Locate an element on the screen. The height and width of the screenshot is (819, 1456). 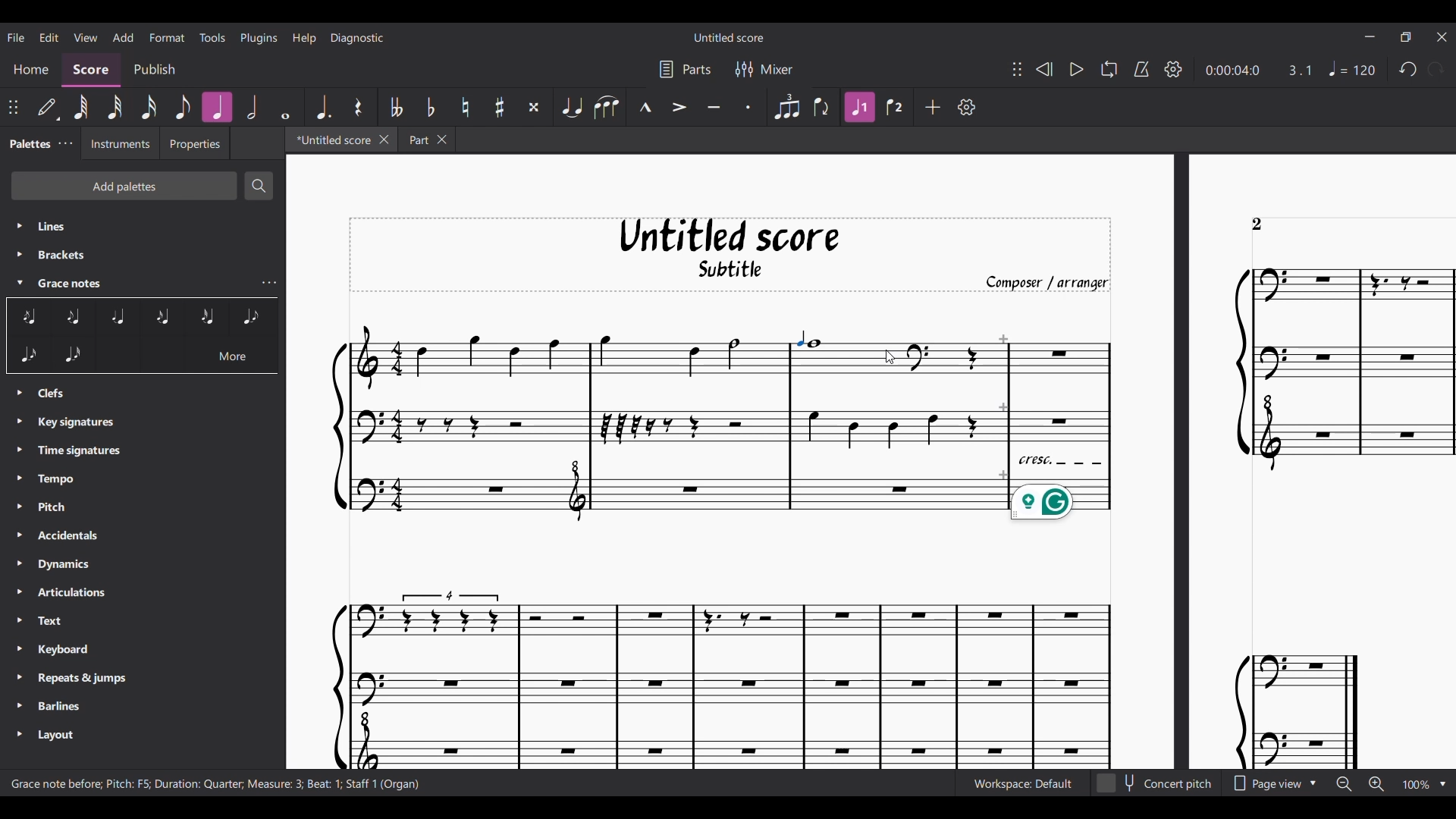
Change position of toolbar atatched is located at coordinates (13, 107).